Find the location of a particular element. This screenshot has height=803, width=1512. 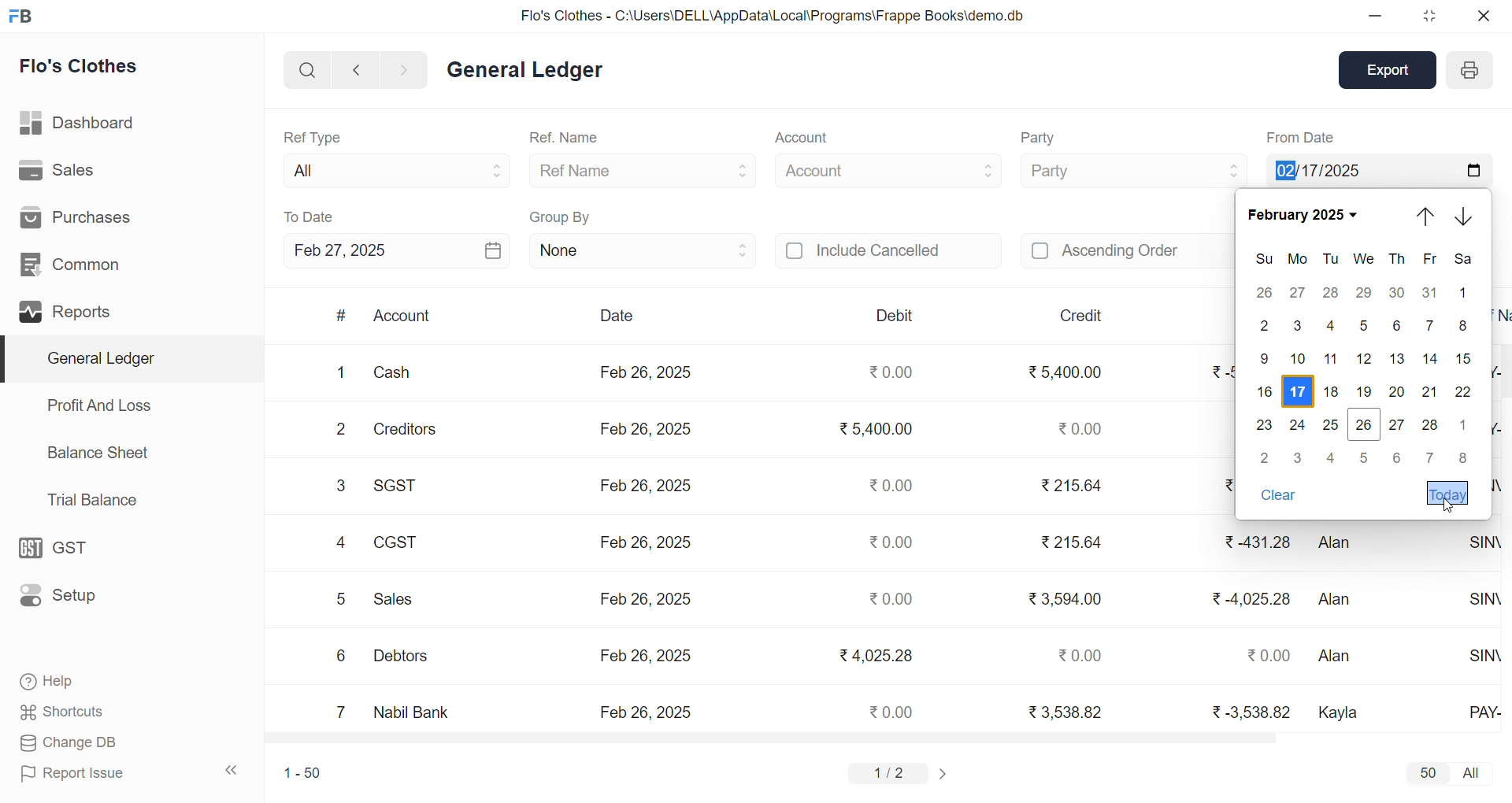

Export is located at coordinates (1391, 68).